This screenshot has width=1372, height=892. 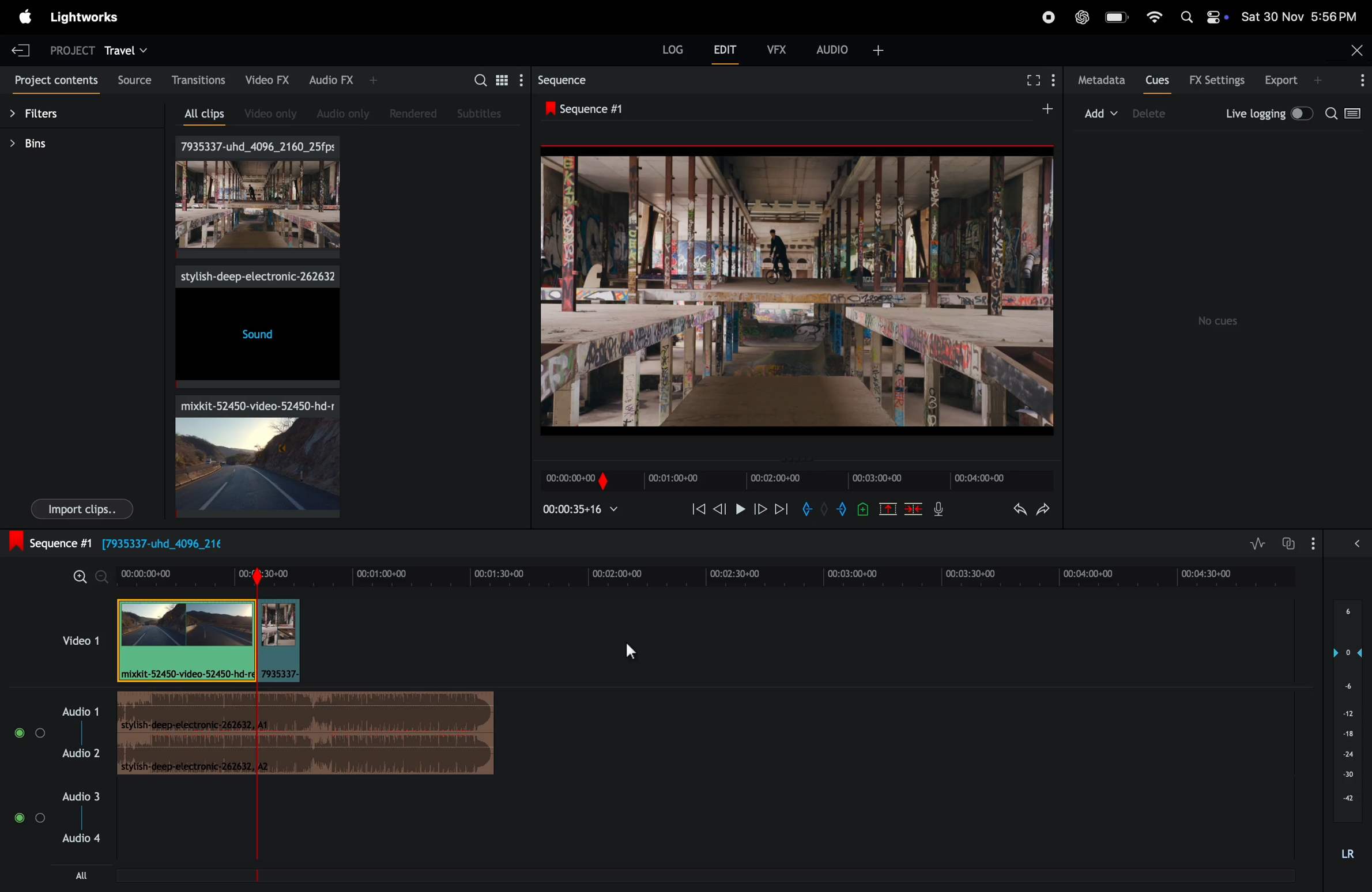 What do you see at coordinates (1339, 542) in the screenshot?
I see `options` at bounding box center [1339, 542].